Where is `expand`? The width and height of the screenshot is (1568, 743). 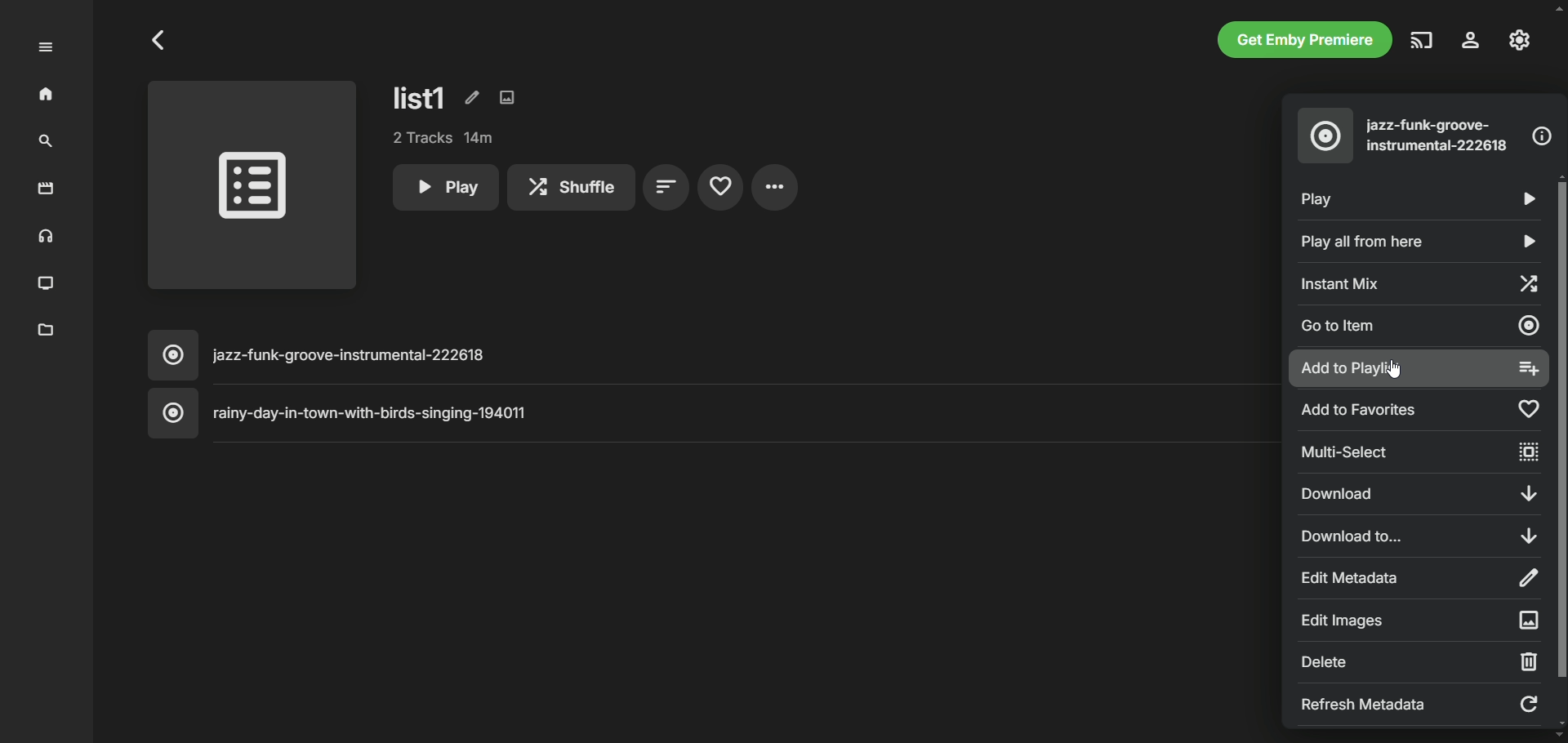
expand is located at coordinates (46, 47).